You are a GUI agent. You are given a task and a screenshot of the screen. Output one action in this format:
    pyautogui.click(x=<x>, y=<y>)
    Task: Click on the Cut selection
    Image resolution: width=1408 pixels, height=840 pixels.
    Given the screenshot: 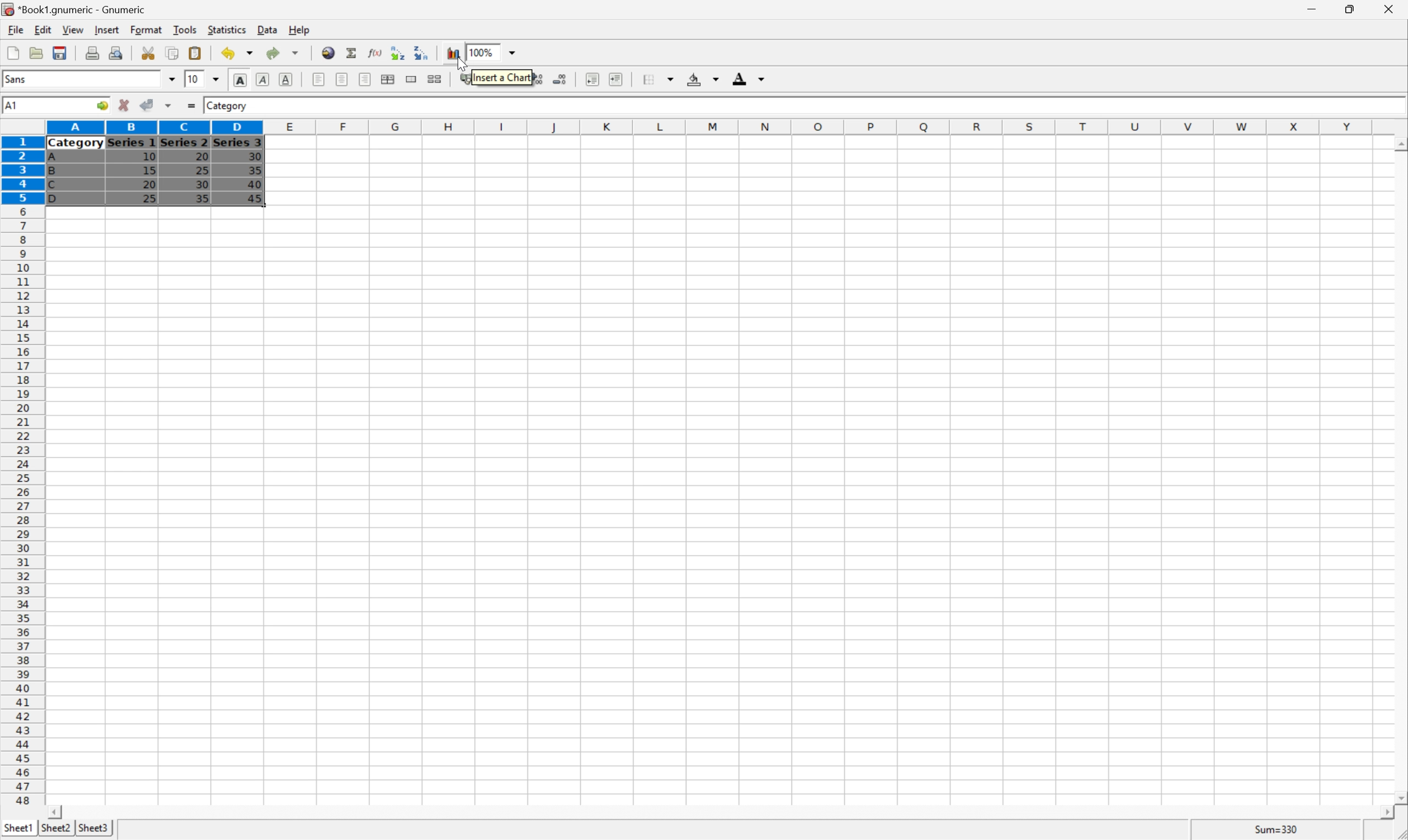 What is the action you would take?
    pyautogui.click(x=149, y=53)
    